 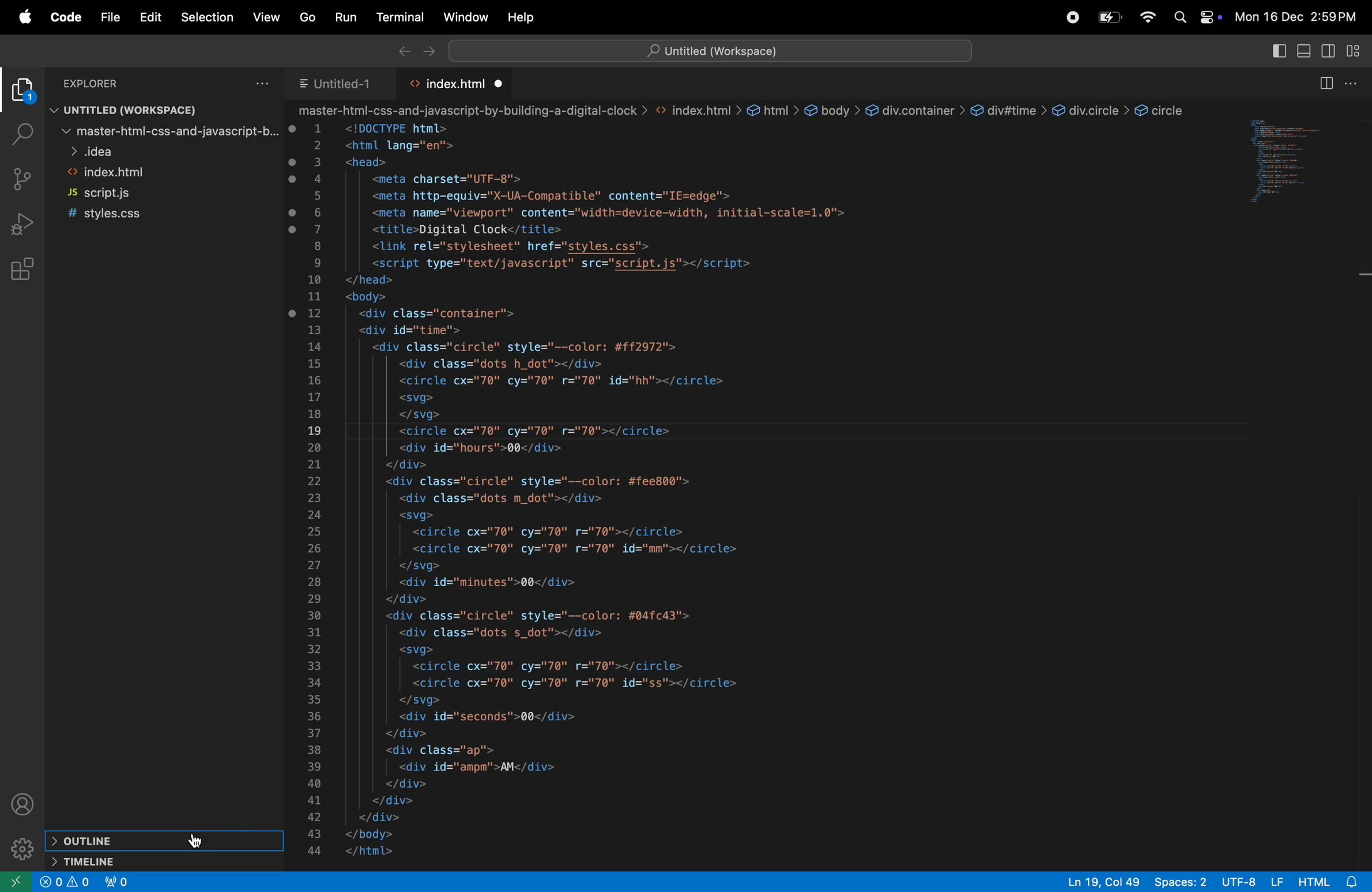 I want to click on apple menu, so click(x=19, y=16).